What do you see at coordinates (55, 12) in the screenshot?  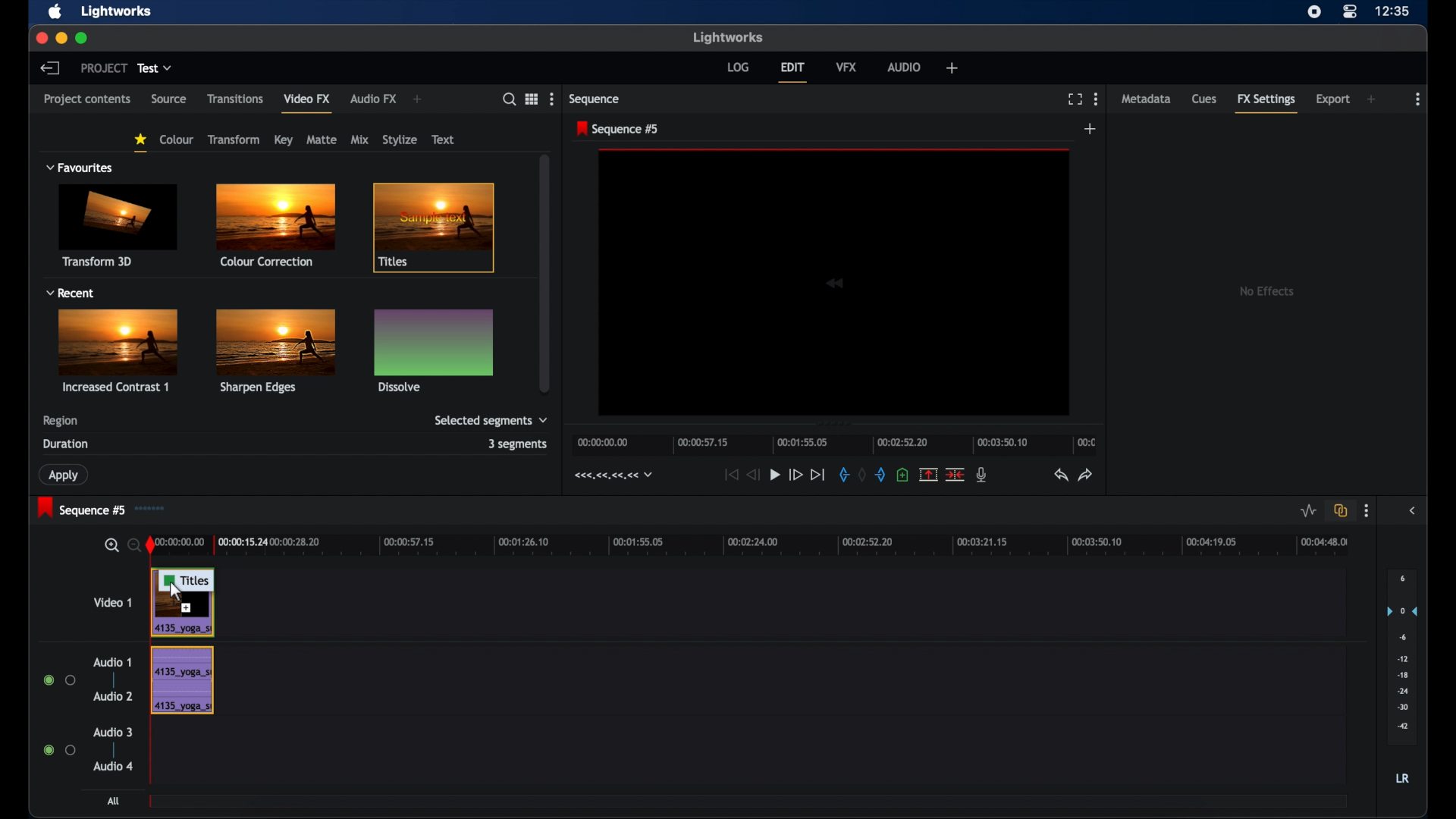 I see `apple icon` at bounding box center [55, 12].